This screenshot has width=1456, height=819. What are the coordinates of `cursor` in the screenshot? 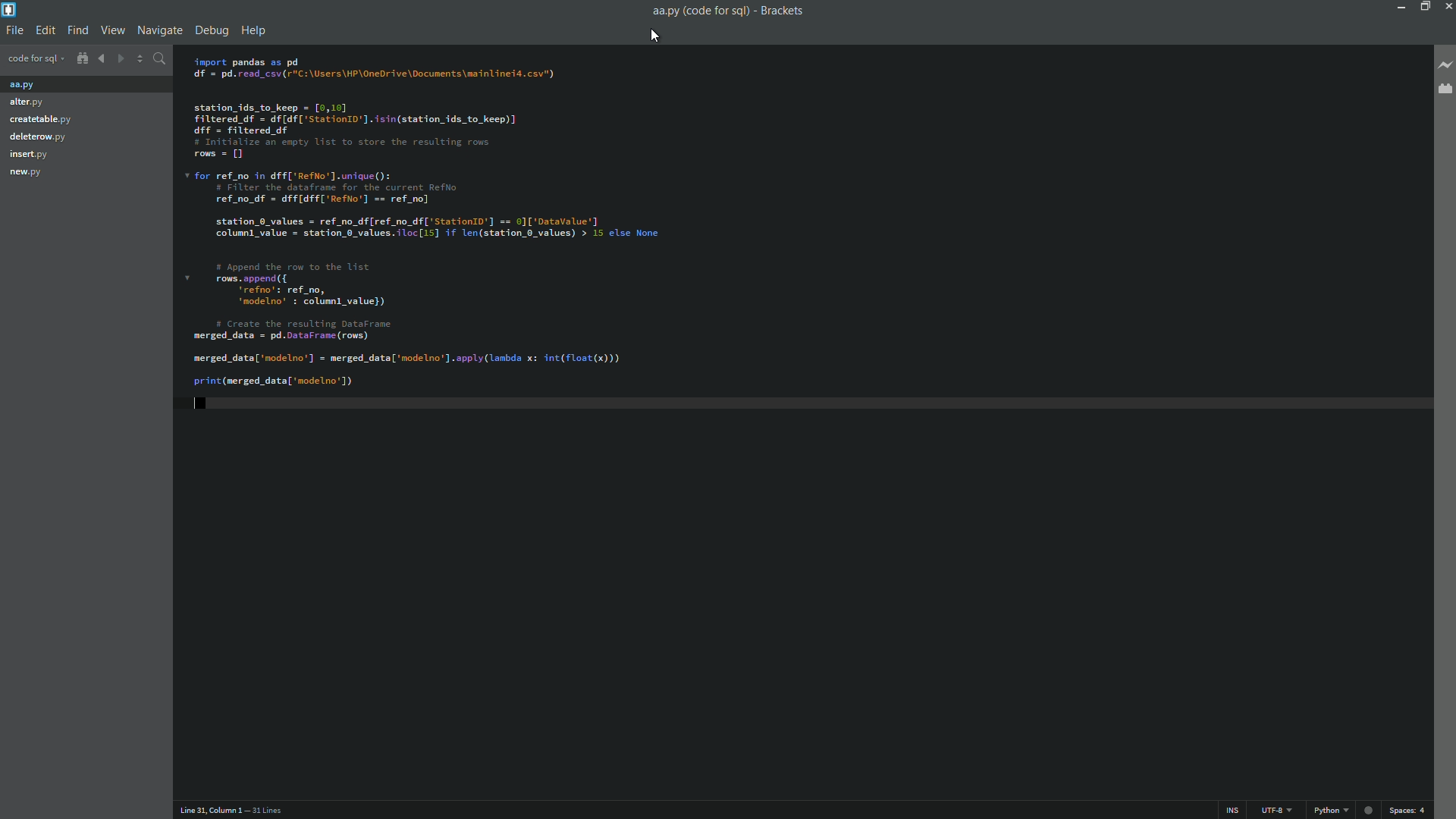 It's located at (655, 37).